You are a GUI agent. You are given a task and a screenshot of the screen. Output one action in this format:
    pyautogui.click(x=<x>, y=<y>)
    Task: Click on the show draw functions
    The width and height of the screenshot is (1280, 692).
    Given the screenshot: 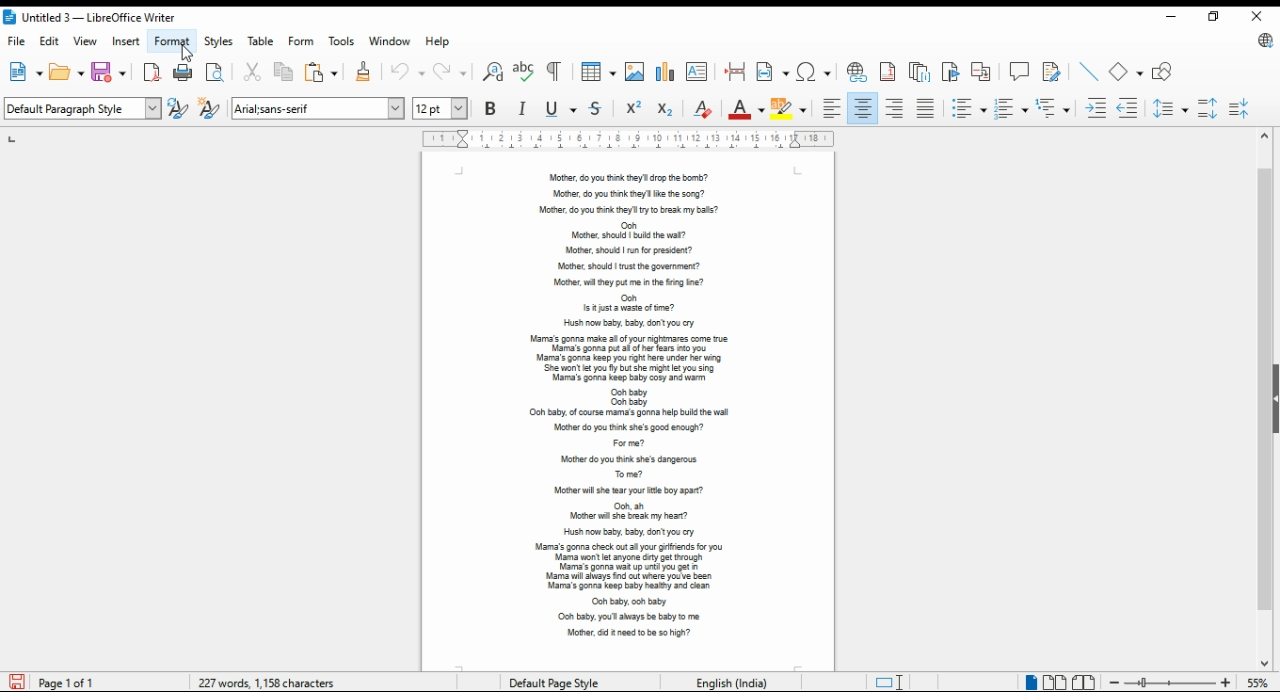 What is the action you would take?
    pyautogui.click(x=1162, y=72)
    